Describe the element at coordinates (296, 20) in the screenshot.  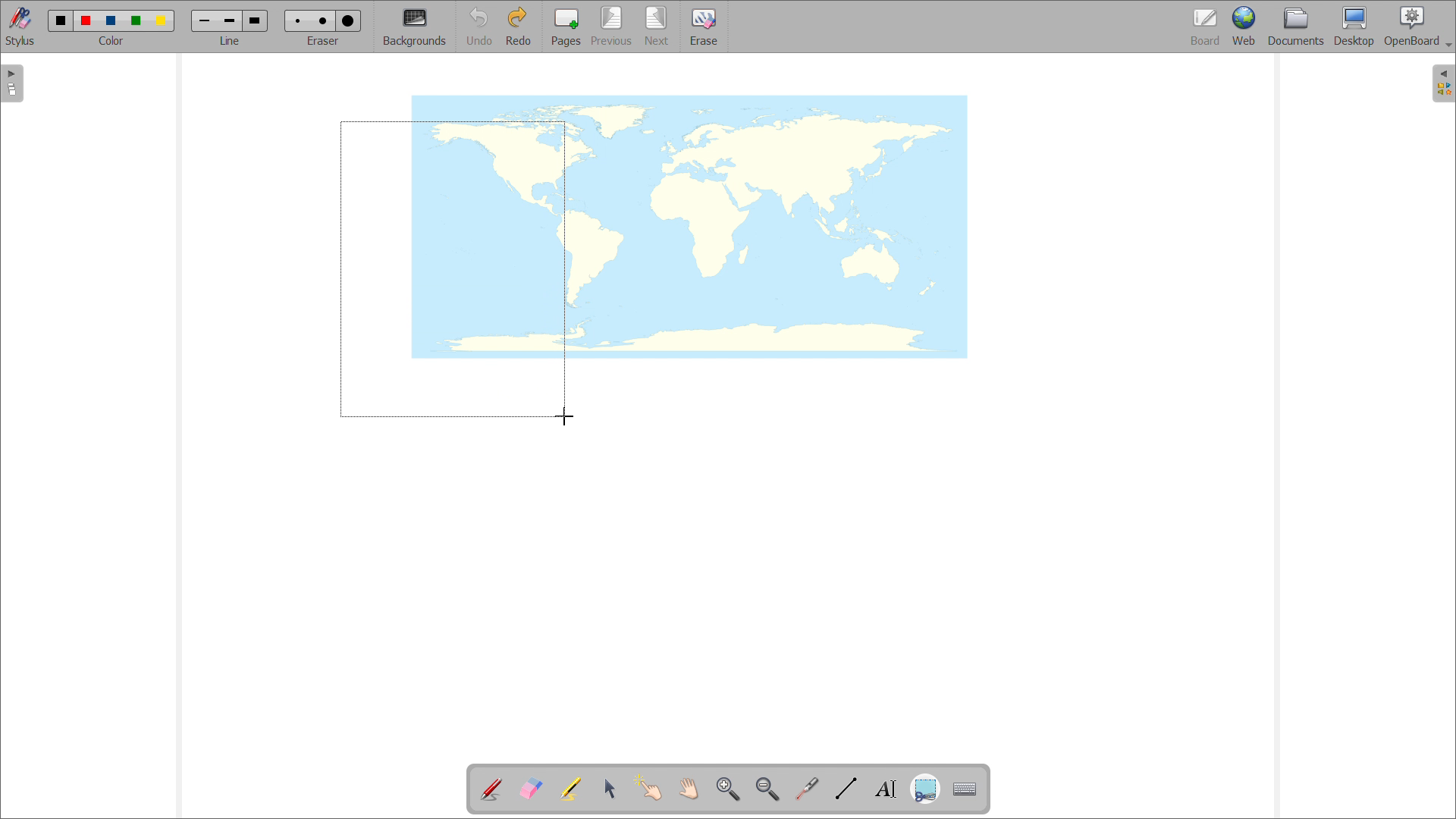
I see `small` at that location.